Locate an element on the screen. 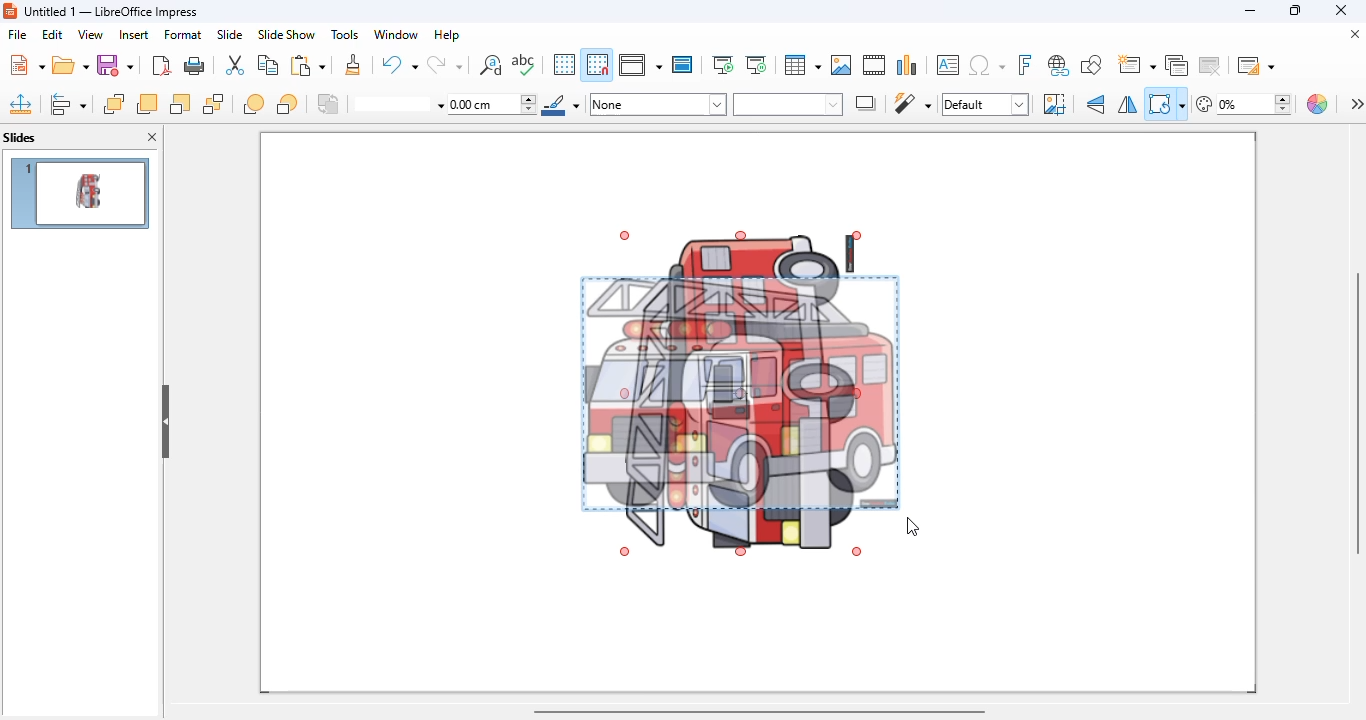  vertical scroll bar is located at coordinates (1357, 411).